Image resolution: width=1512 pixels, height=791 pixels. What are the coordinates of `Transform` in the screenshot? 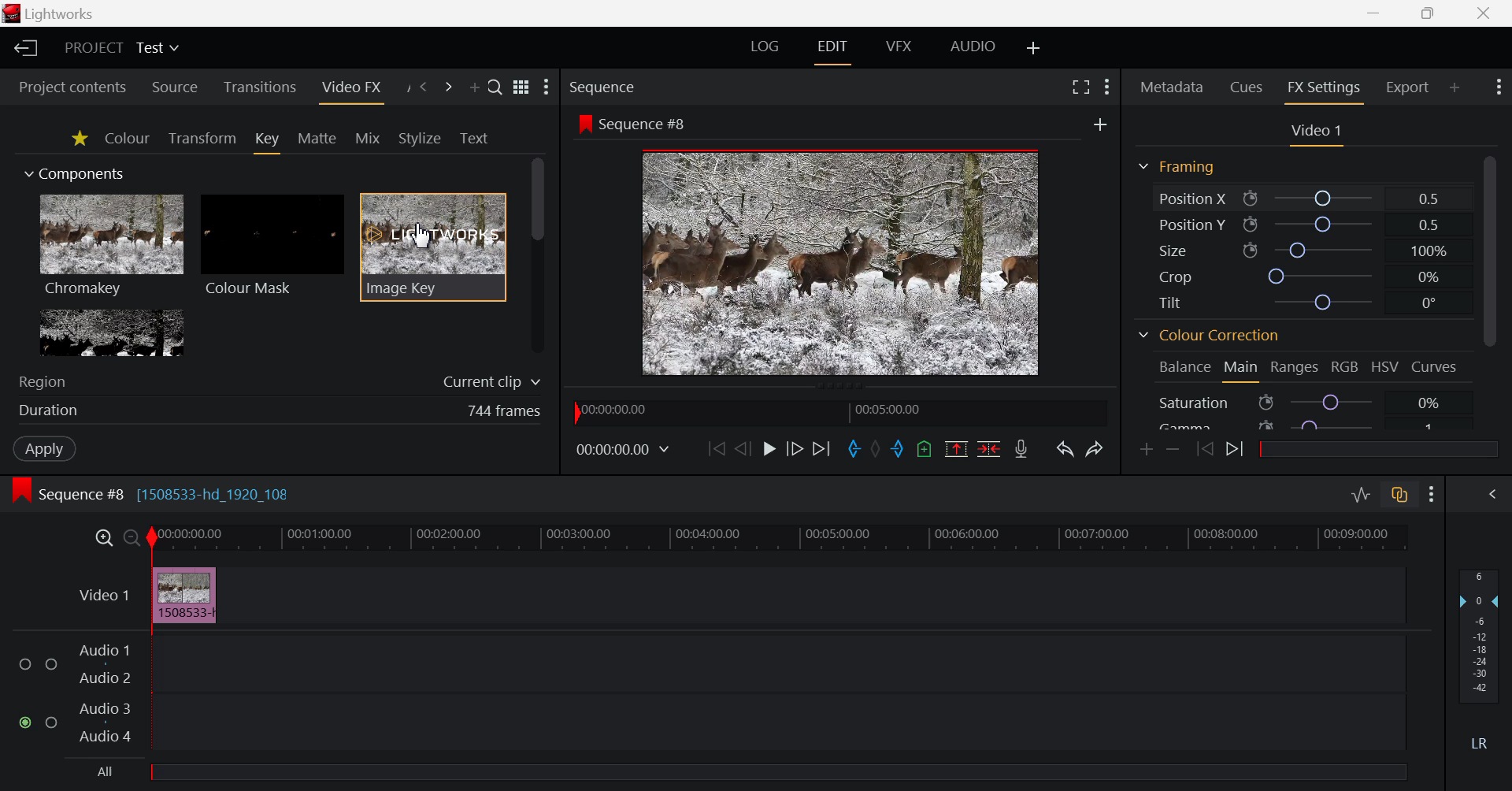 It's located at (200, 139).